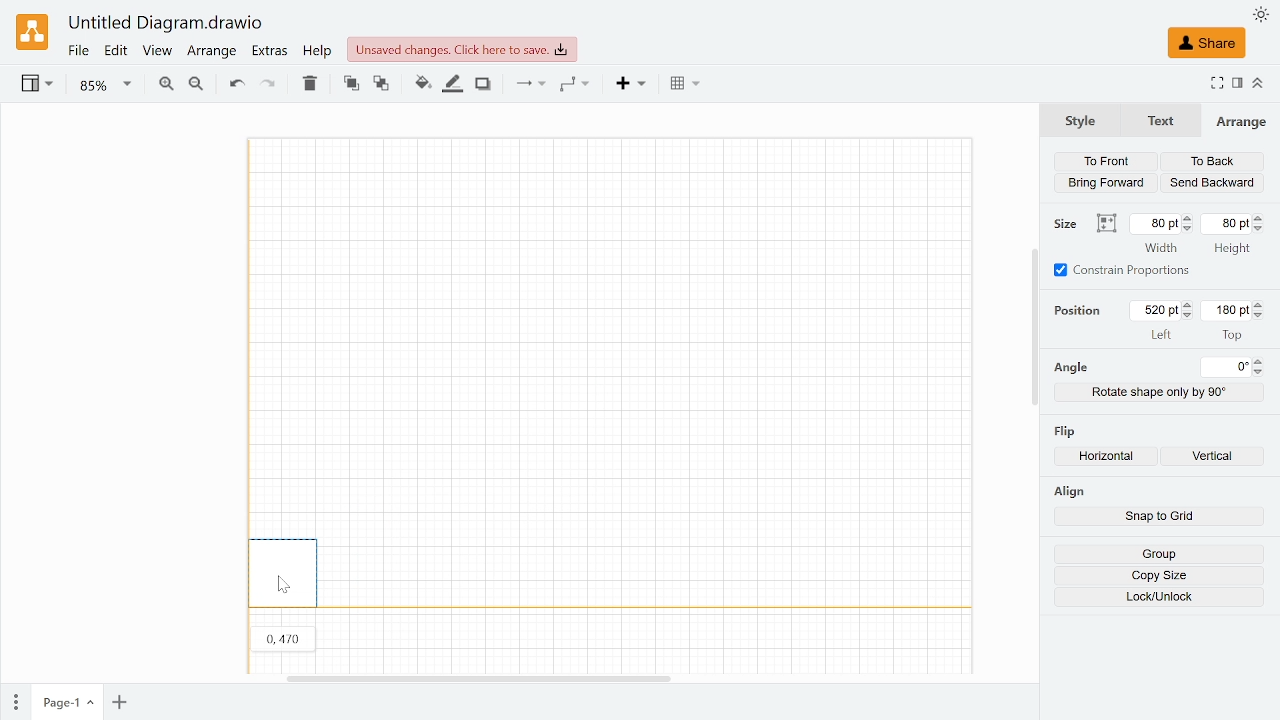 This screenshot has width=1280, height=720. What do you see at coordinates (382, 85) in the screenshot?
I see `To back` at bounding box center [382, 85].